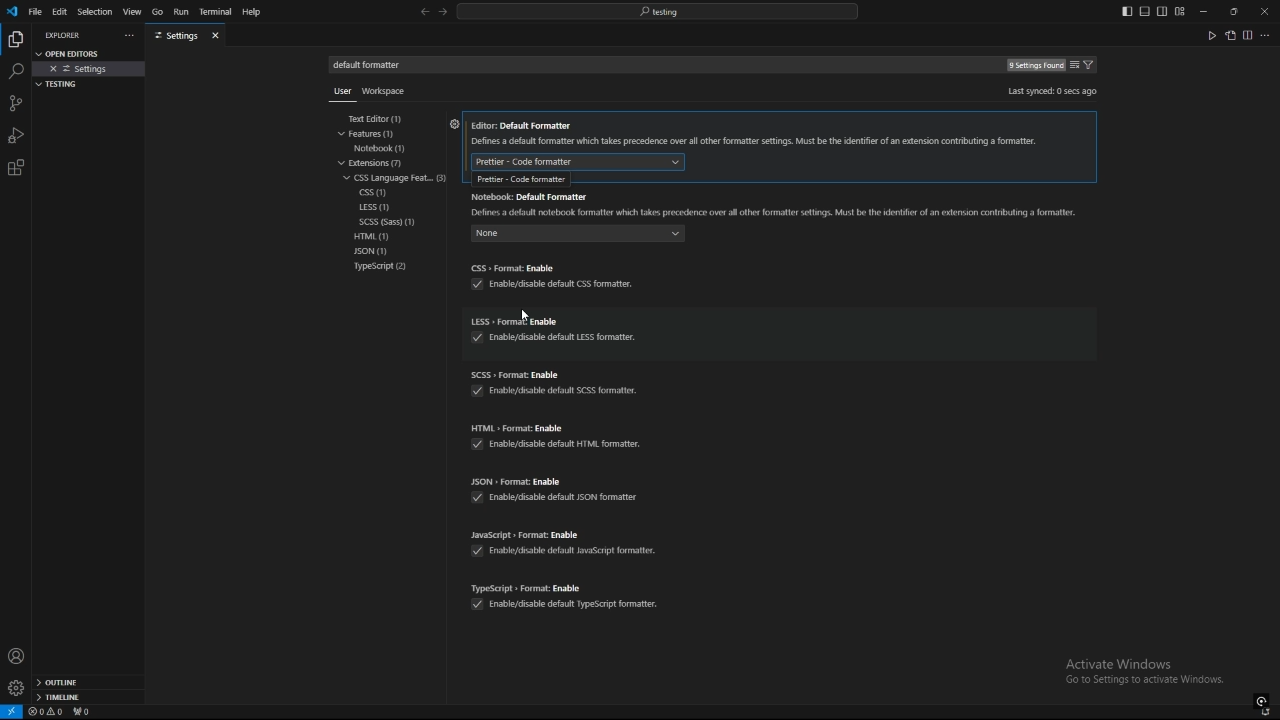 The width and height of the screenshot is (1280, 720). I want to click on terminal, so click(216, 13).